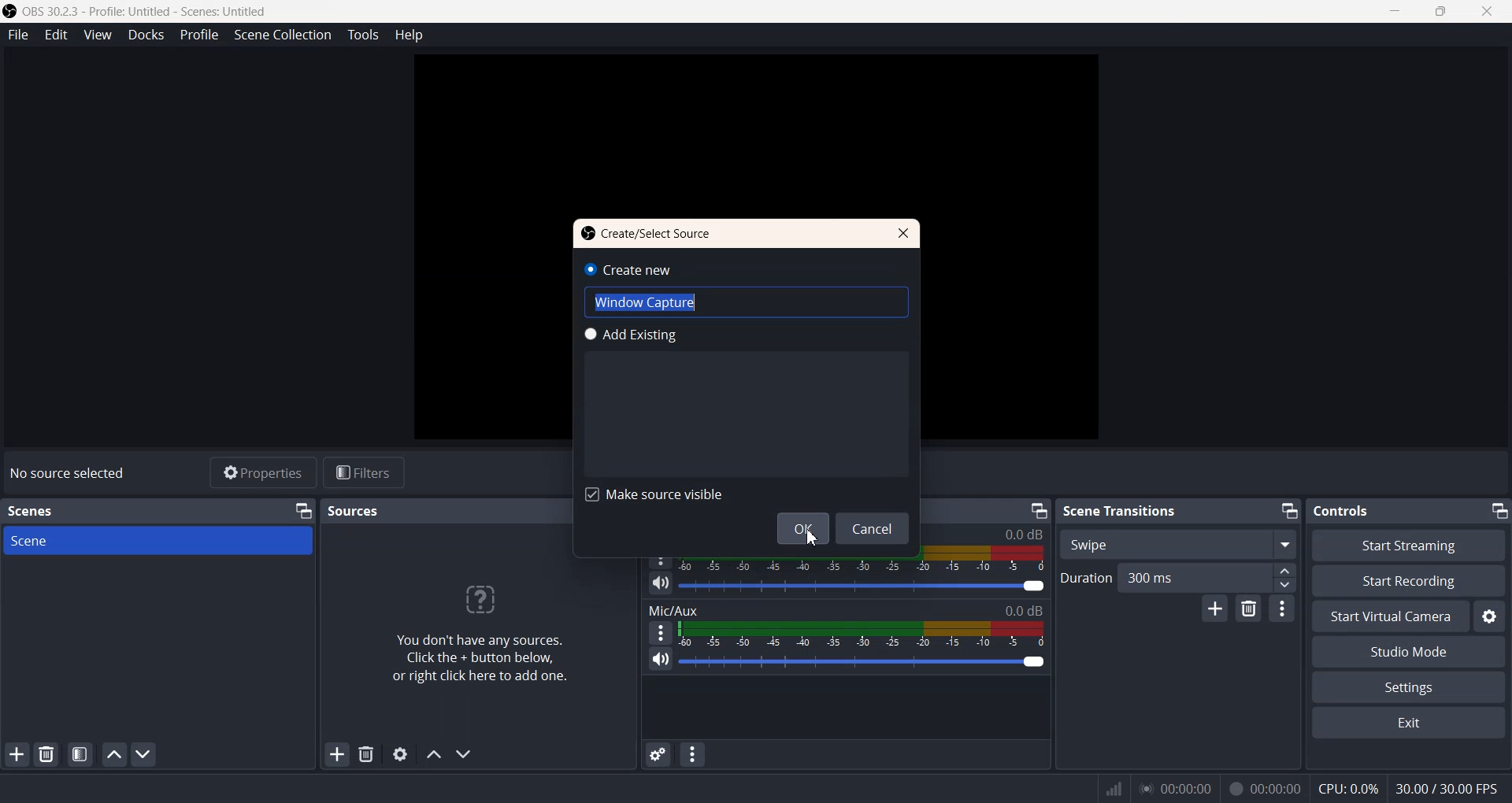  What do you see at coordinates (845, 610) in the screenshot?
I see `Mic/Aux 0.0 dB` at bounding box center [845, 610].